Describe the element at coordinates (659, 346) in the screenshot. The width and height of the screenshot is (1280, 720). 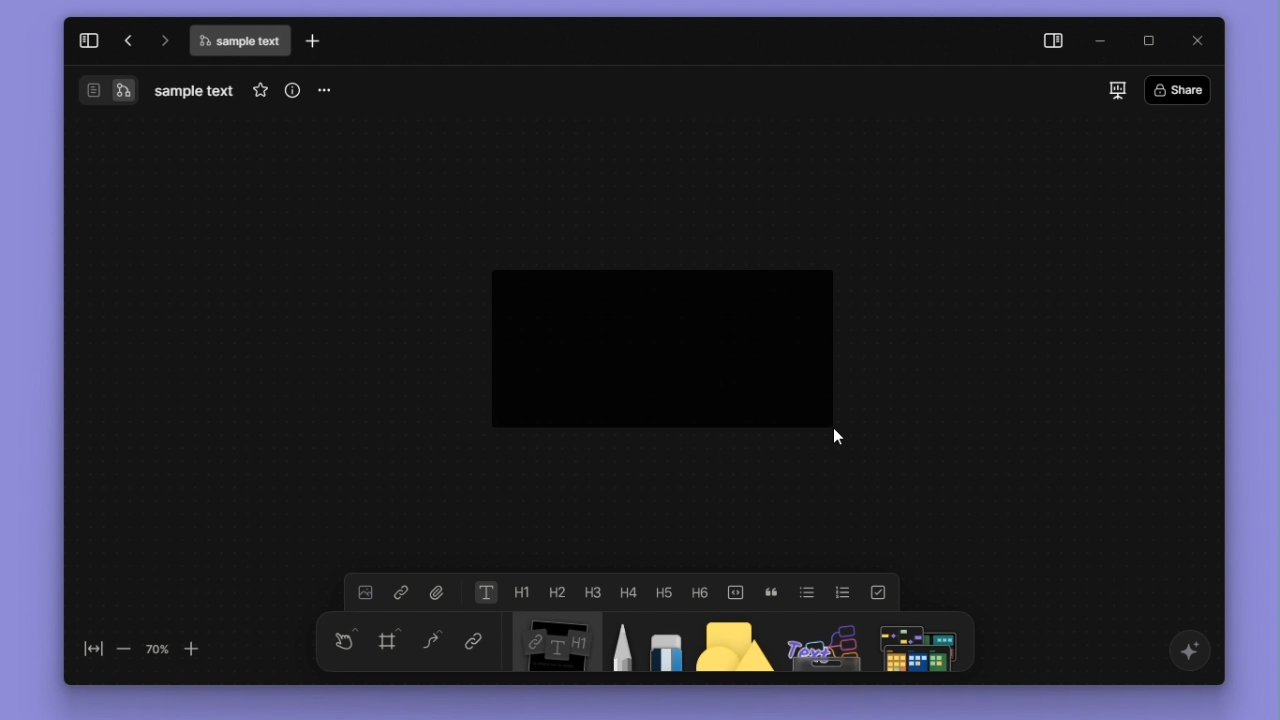
I see `Notes (text box) being drawn` at that location.